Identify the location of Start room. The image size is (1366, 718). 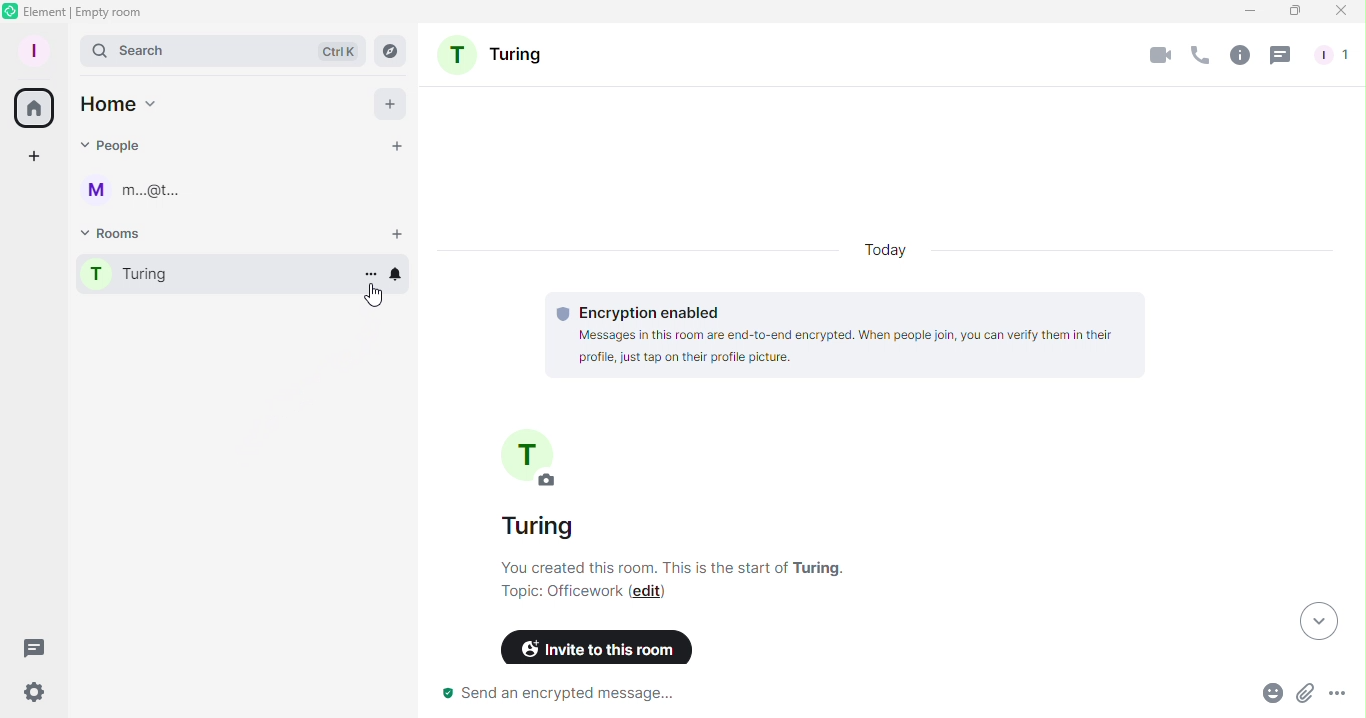
(399, 233).